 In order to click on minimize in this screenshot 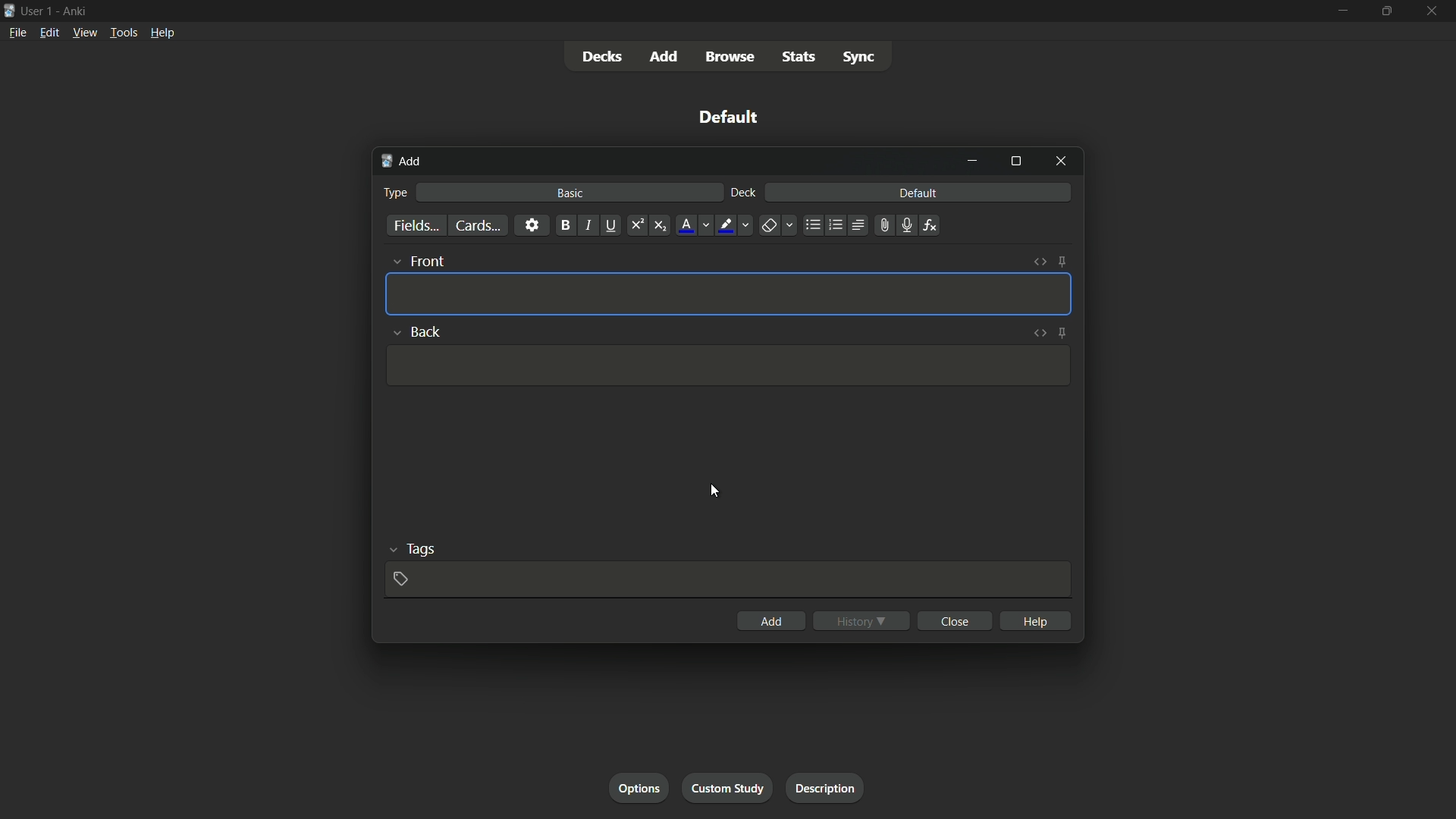, I will do `click(972, 161)`.